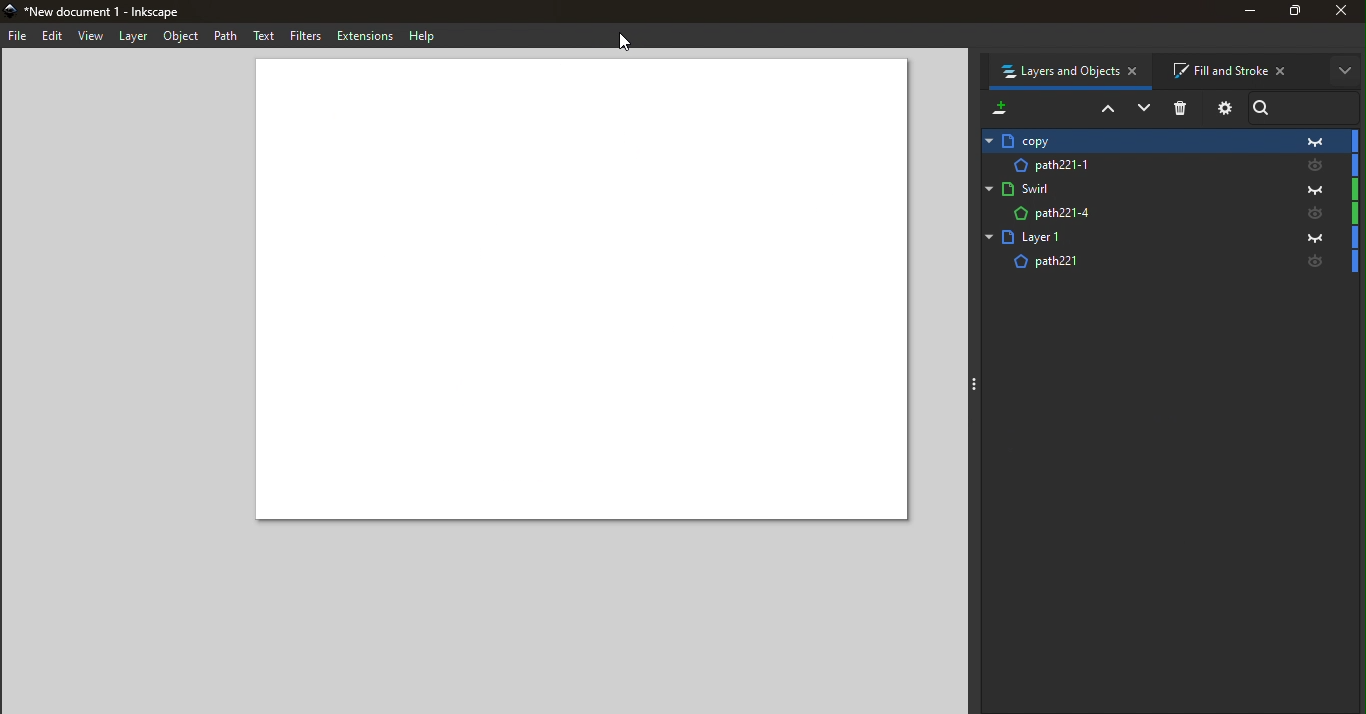  What do you see at coordinates (1237, 71) in the screenshot?
I see `Fill and Stroke` at bounding box center [1237, 71].